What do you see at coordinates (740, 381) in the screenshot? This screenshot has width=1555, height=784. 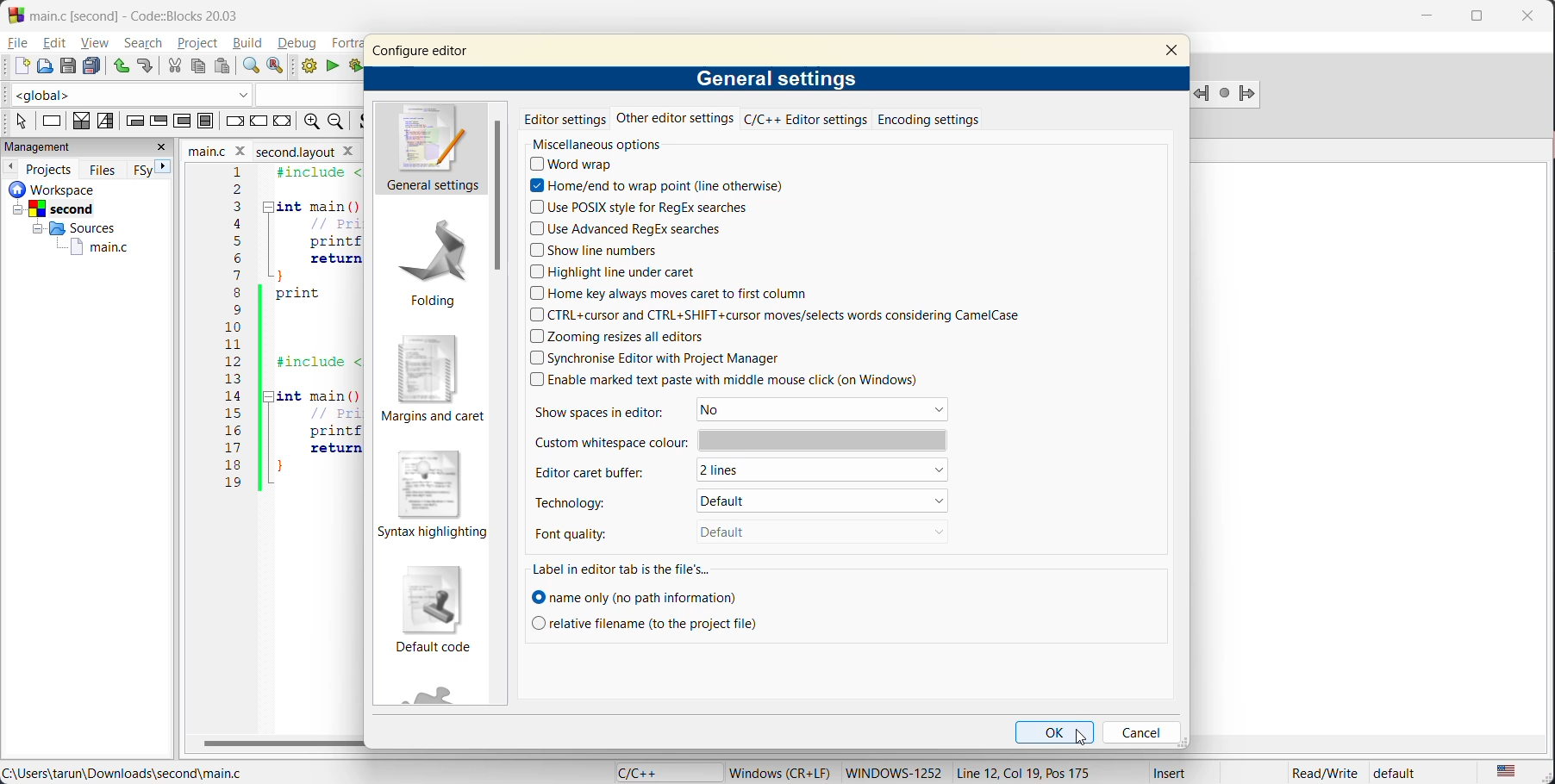 I see `enable marked text paste with middle mouse click` at bounding box center [740, 381].